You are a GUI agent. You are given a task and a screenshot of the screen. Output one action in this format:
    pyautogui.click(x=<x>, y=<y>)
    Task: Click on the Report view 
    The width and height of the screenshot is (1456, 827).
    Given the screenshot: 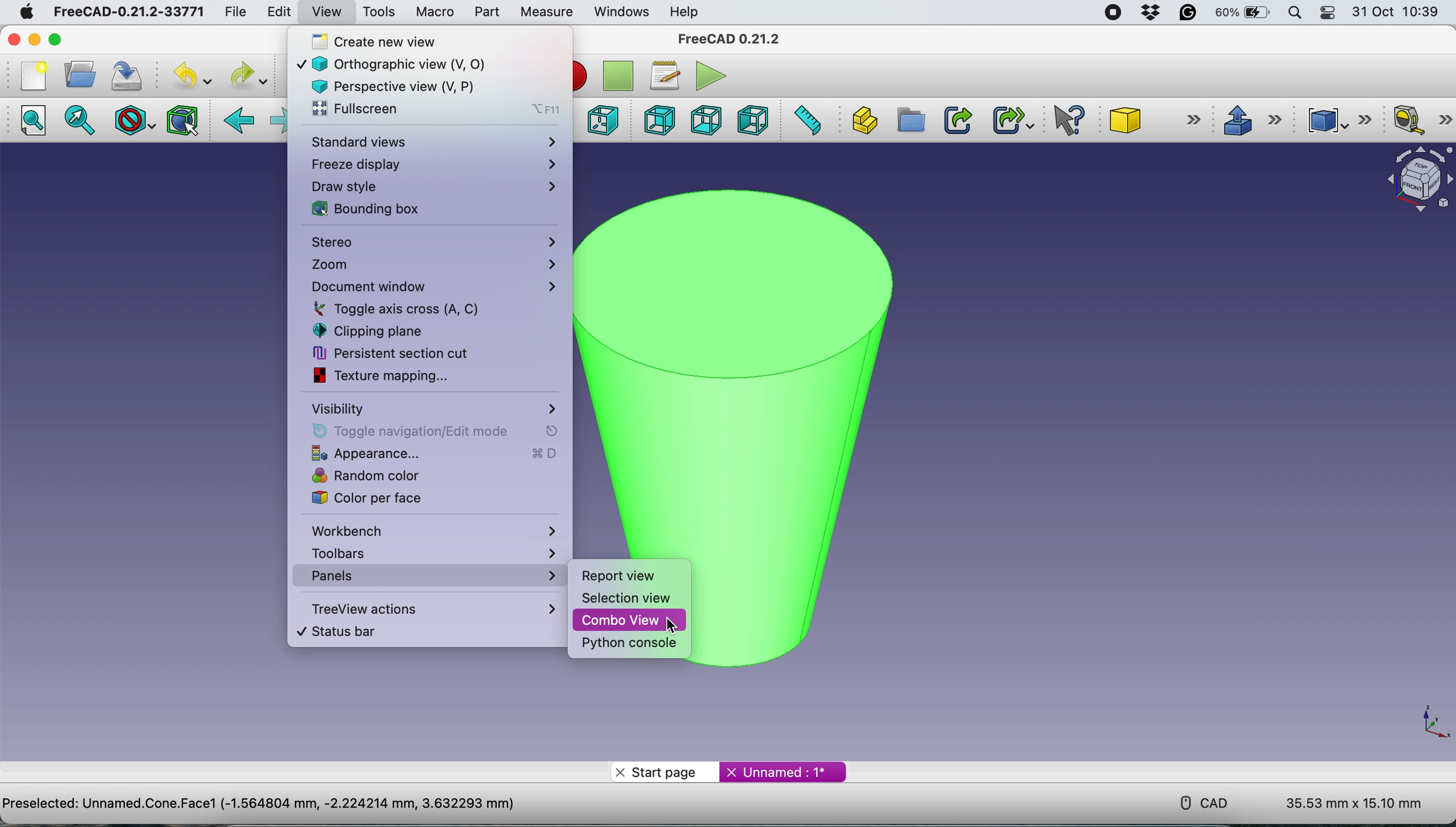 What is the action you would take?
    pyautogui.click(x=620, y=577)
    